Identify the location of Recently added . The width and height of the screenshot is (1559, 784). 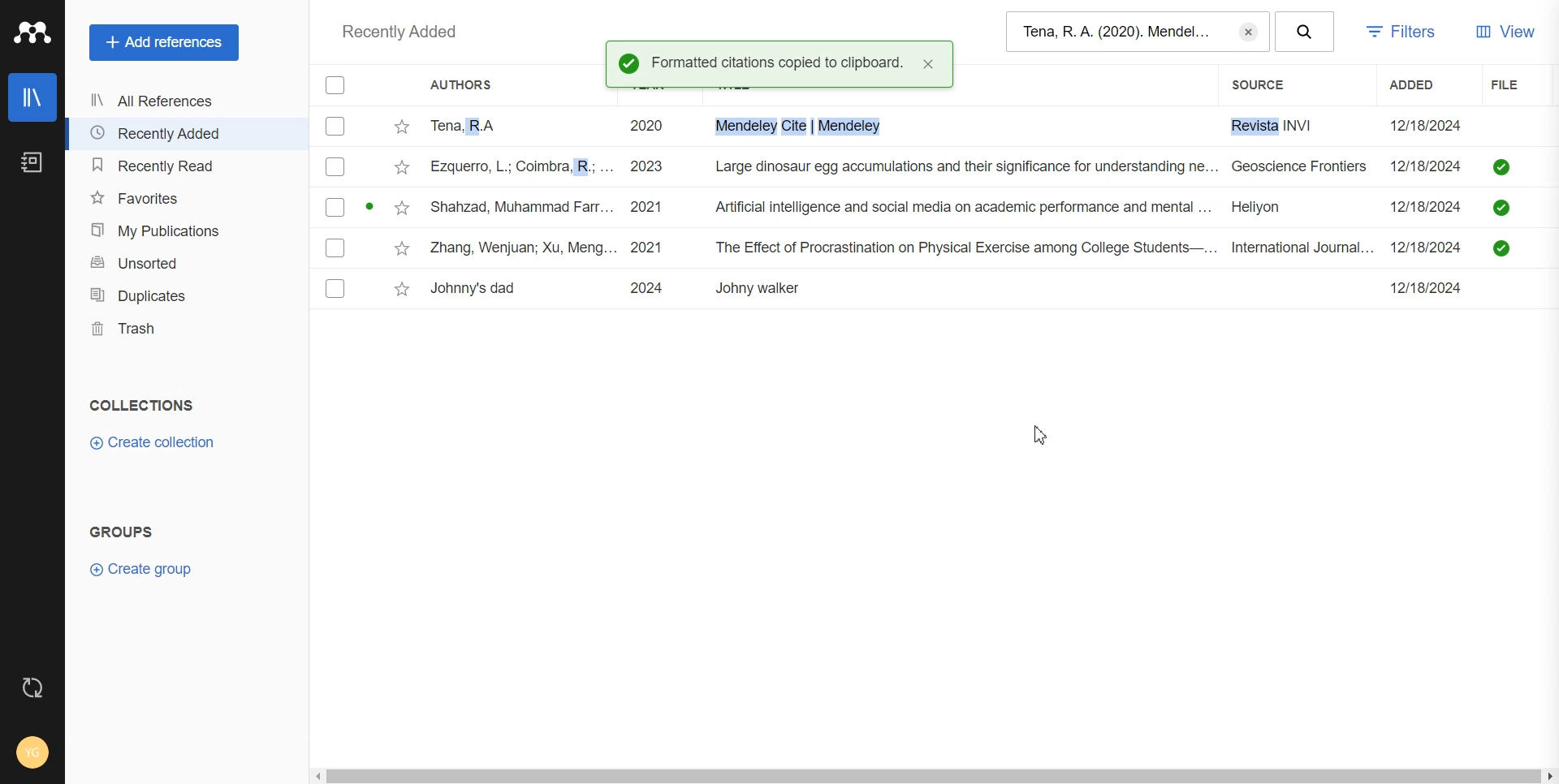
(401, 33).